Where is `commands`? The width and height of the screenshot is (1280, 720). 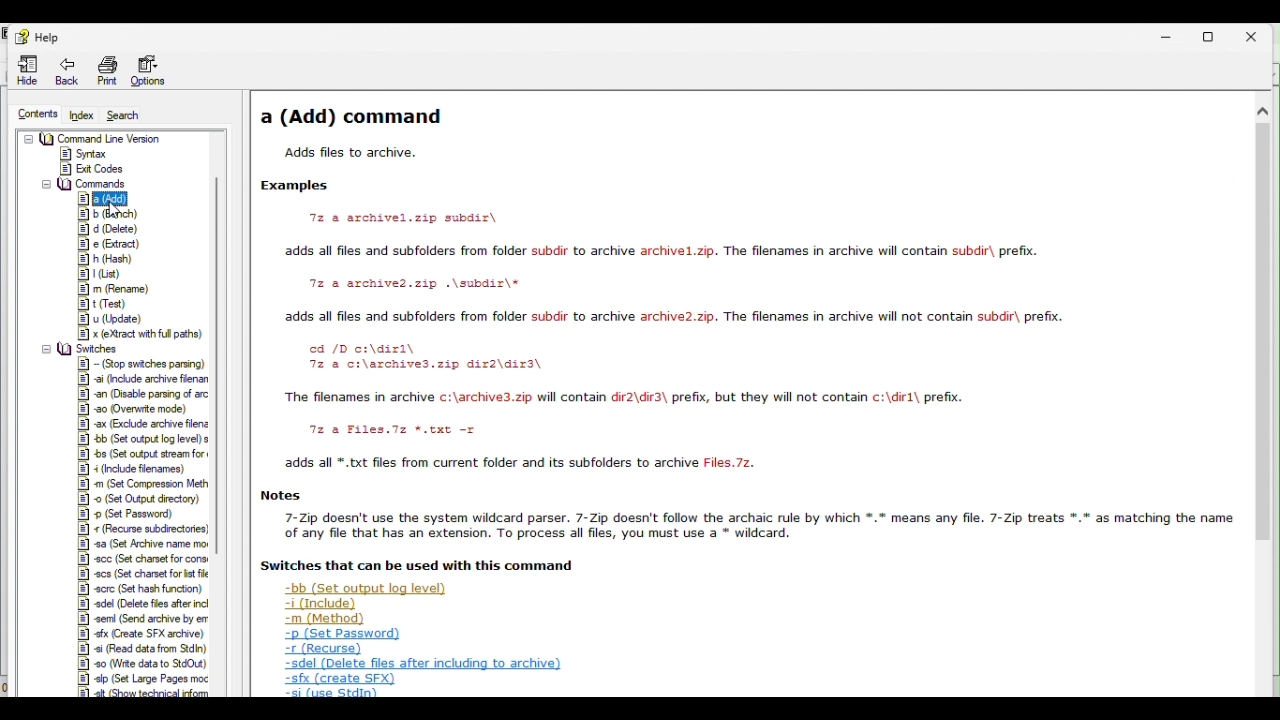
commands is located at coordinates (83, 184).